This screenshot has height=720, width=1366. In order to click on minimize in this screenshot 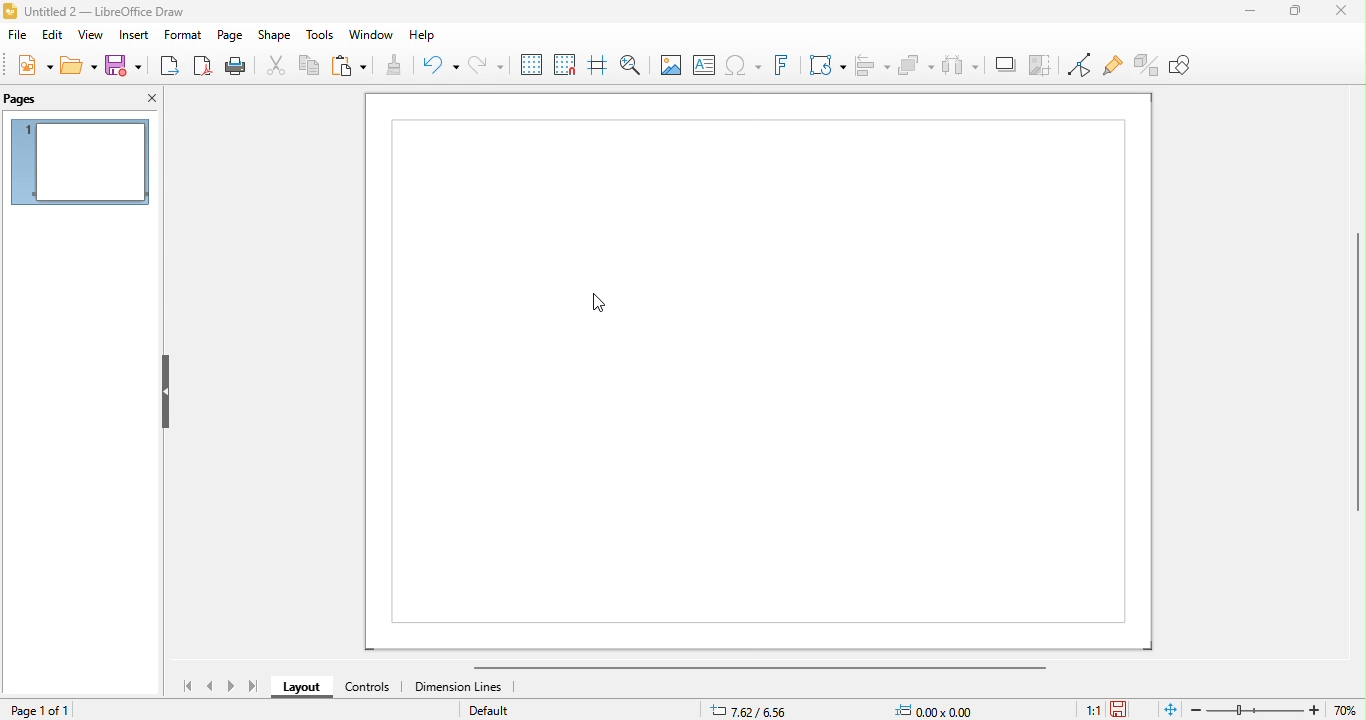, I will do `click(1241, 19)`.